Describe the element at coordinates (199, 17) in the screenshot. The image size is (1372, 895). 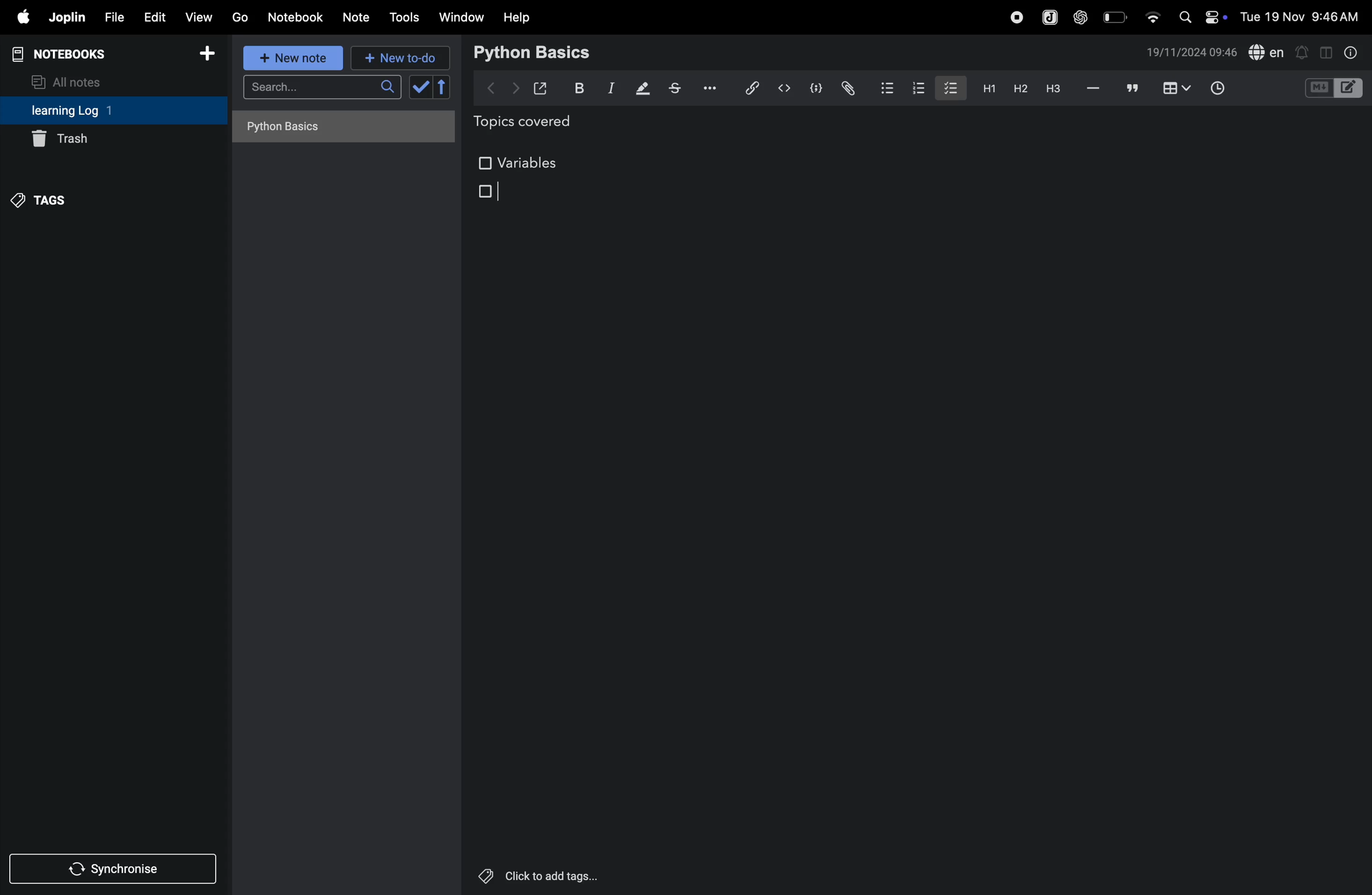
I see `view` at that location.